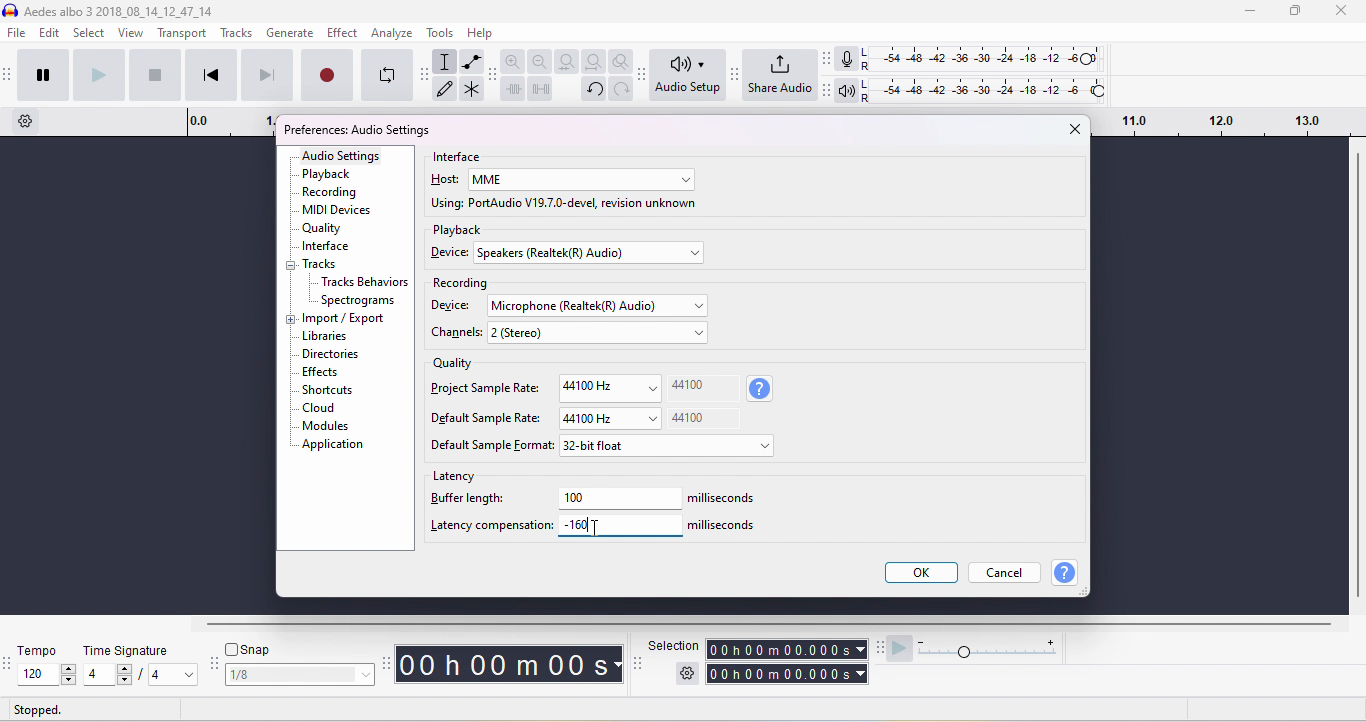 This screenshot has height=722, width=1366. Describe the element at coordinates (596, 62) in the screenshot. I see `fit project to width` at that location.